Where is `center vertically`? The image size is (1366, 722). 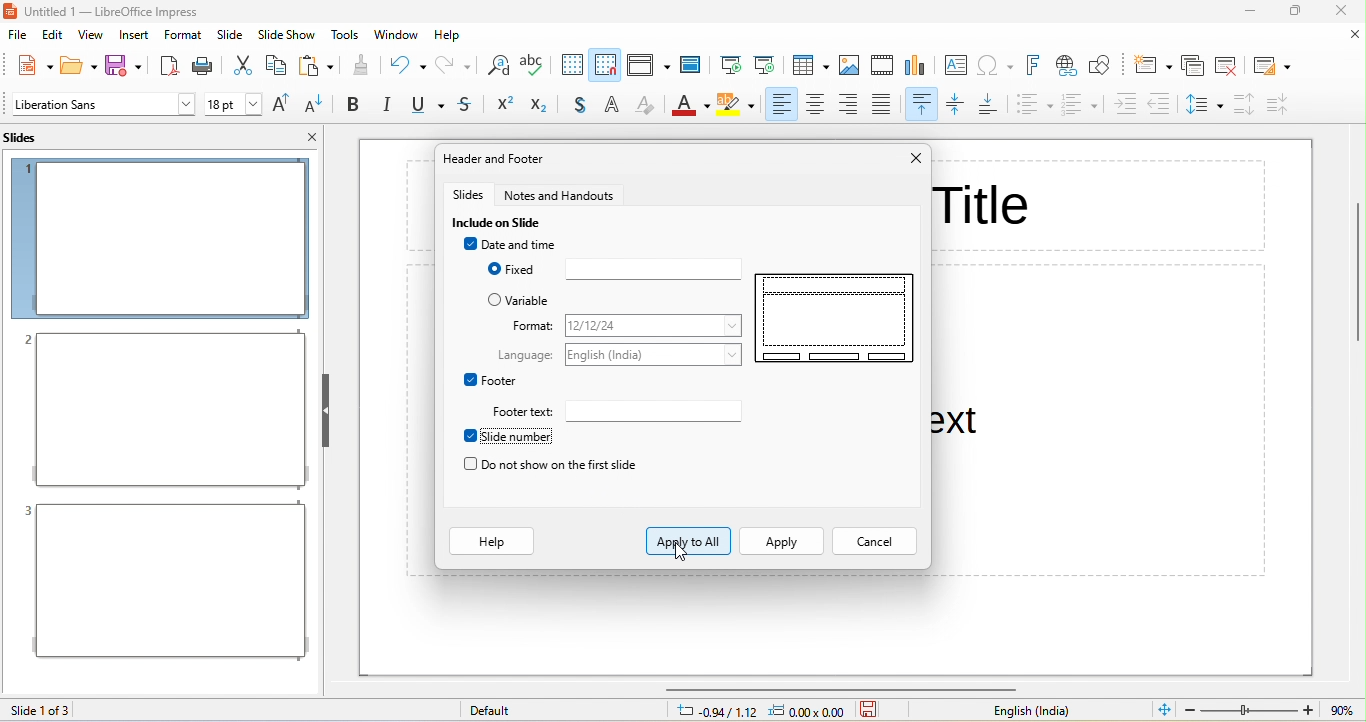 center vertically is located at coordinates (958, 106).